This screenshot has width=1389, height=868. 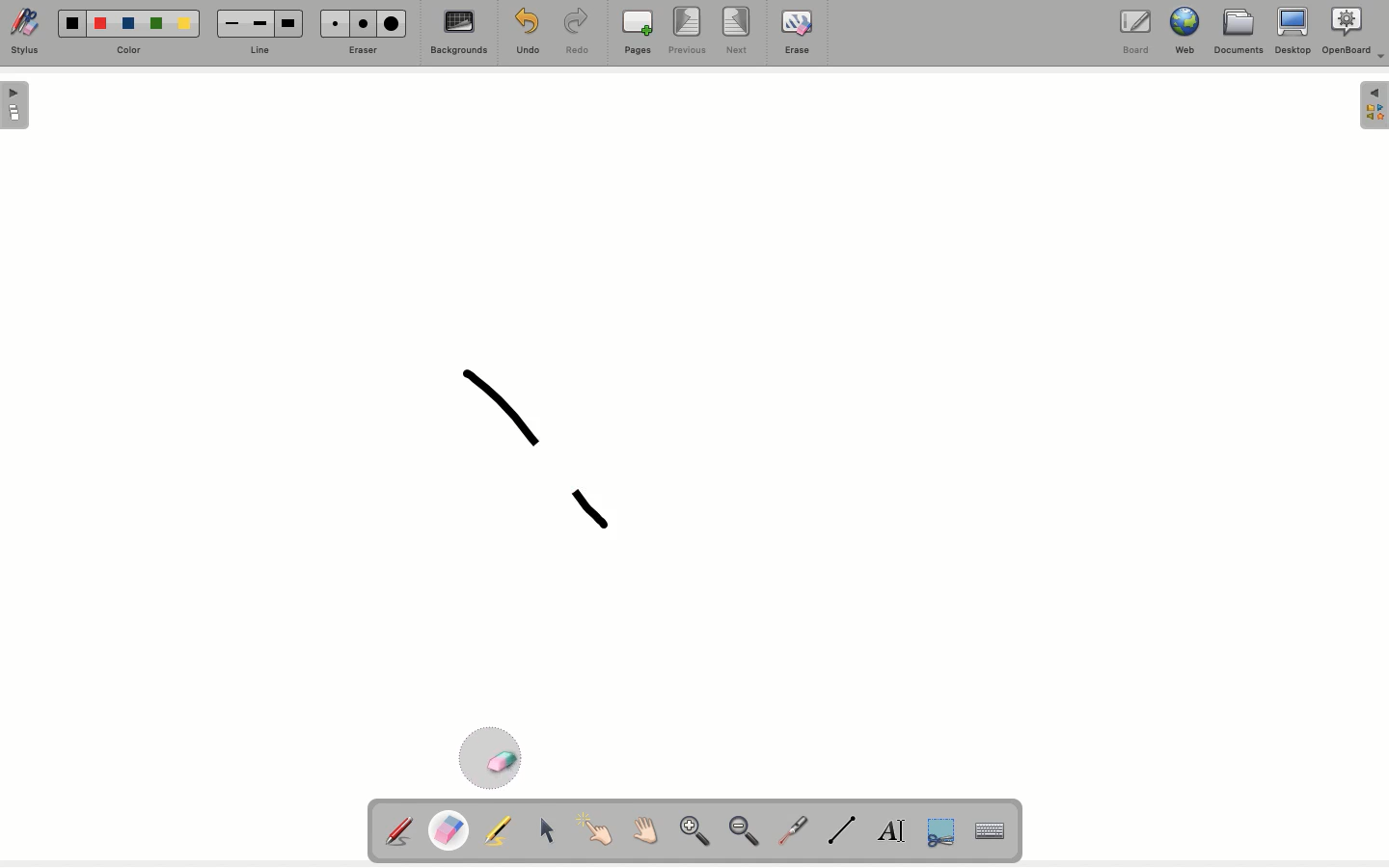 I want to click on Erase, so click(x=797, y=35).